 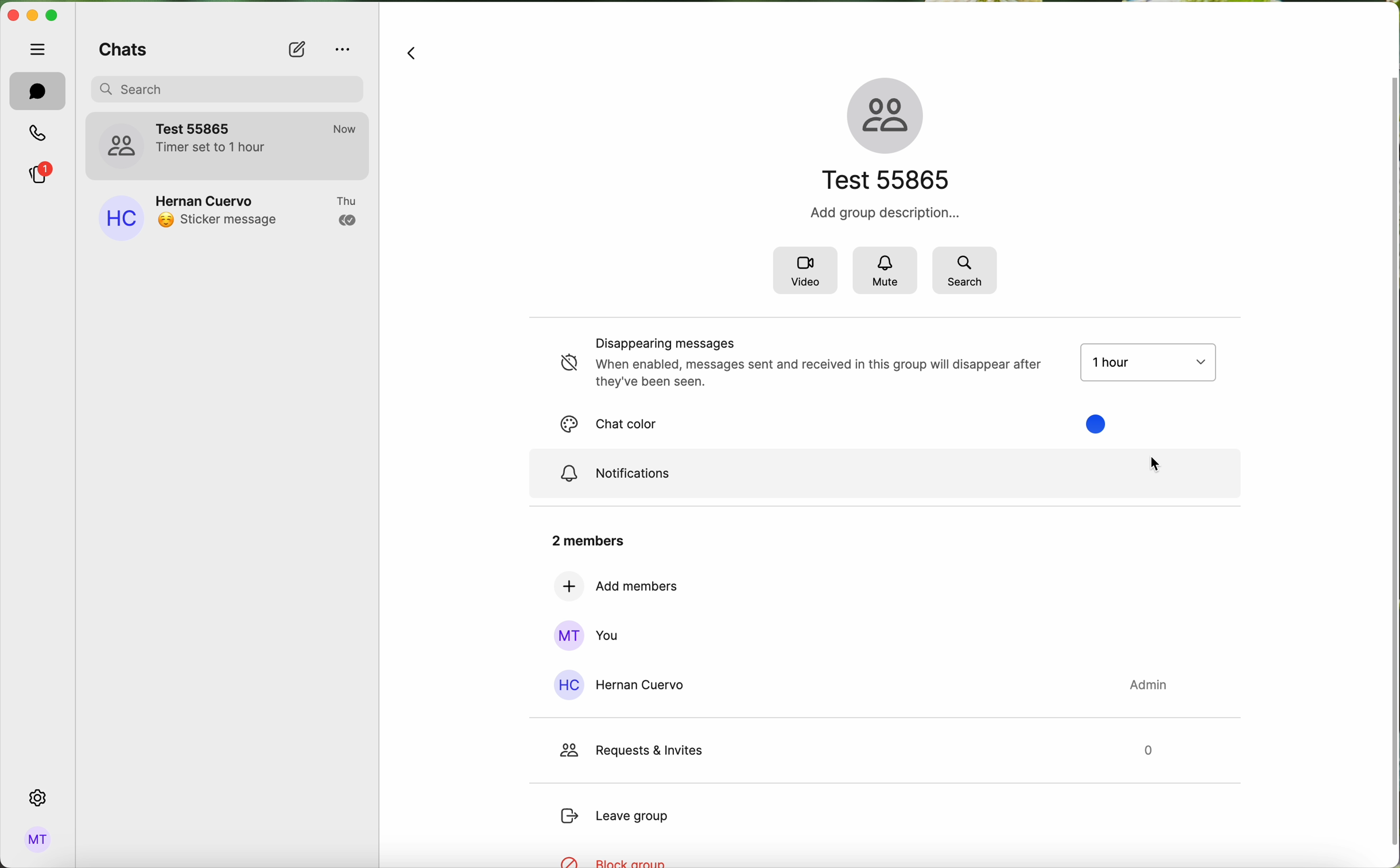 I want to click on cursor, so click(x=1155, y=465).